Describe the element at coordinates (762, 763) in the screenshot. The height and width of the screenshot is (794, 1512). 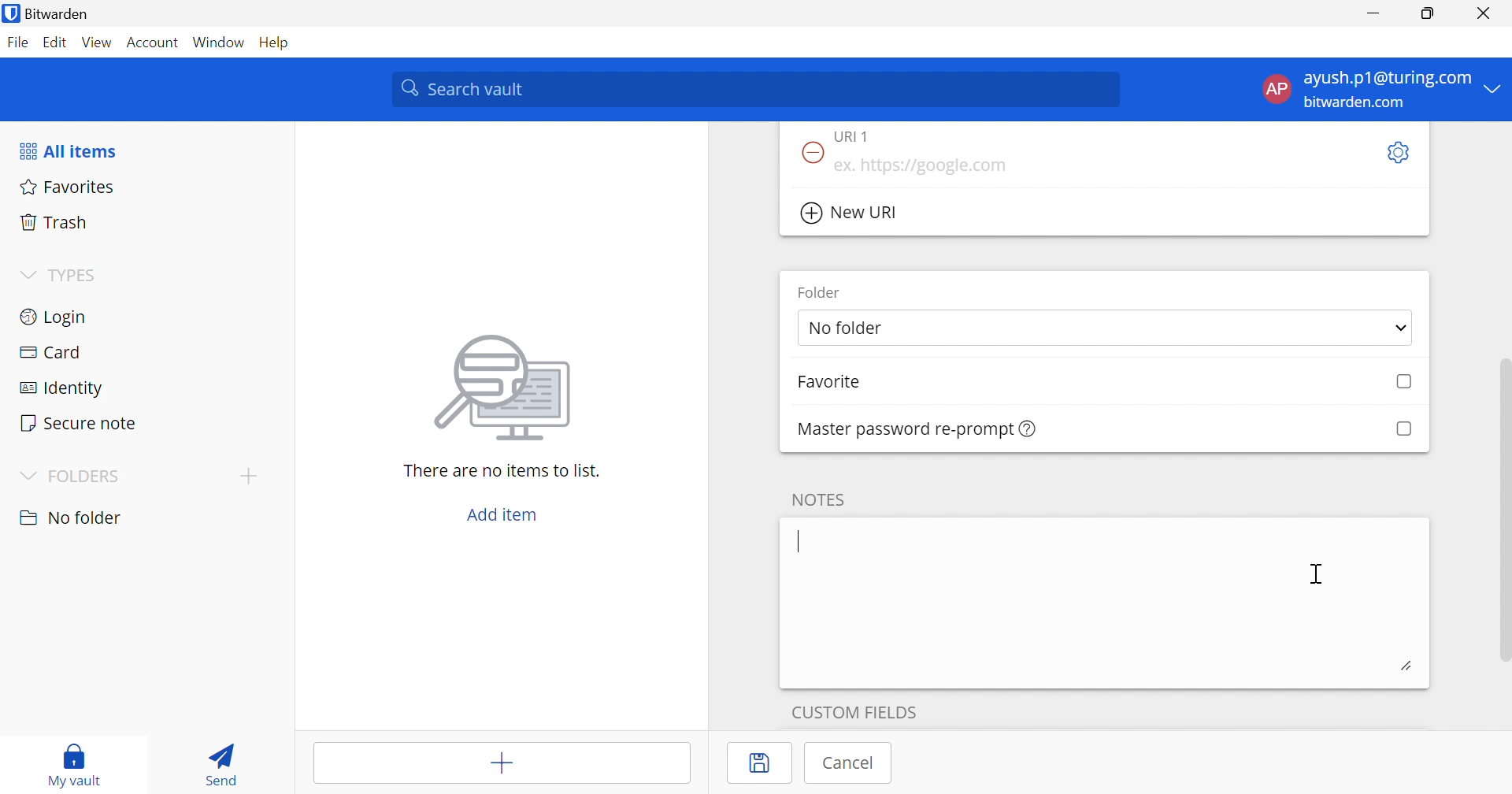
I see `Save` at that location.